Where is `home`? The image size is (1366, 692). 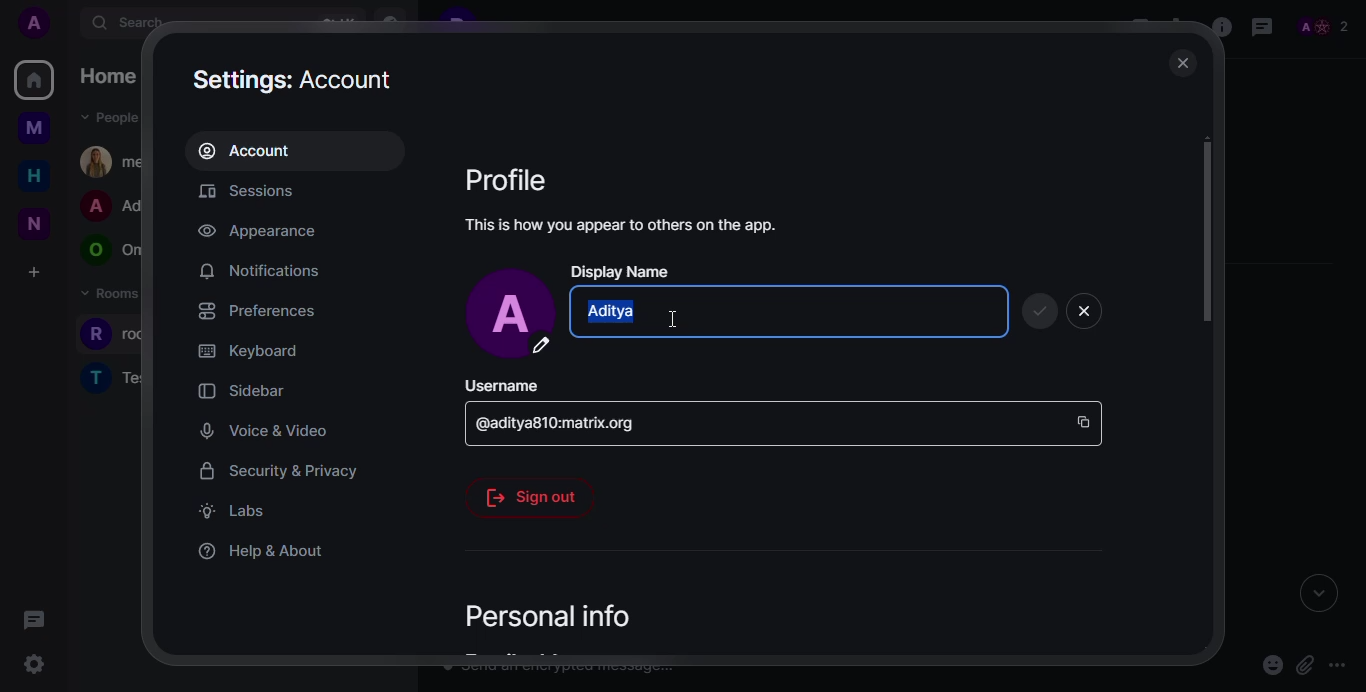 home is located at coordinates (34, 80).